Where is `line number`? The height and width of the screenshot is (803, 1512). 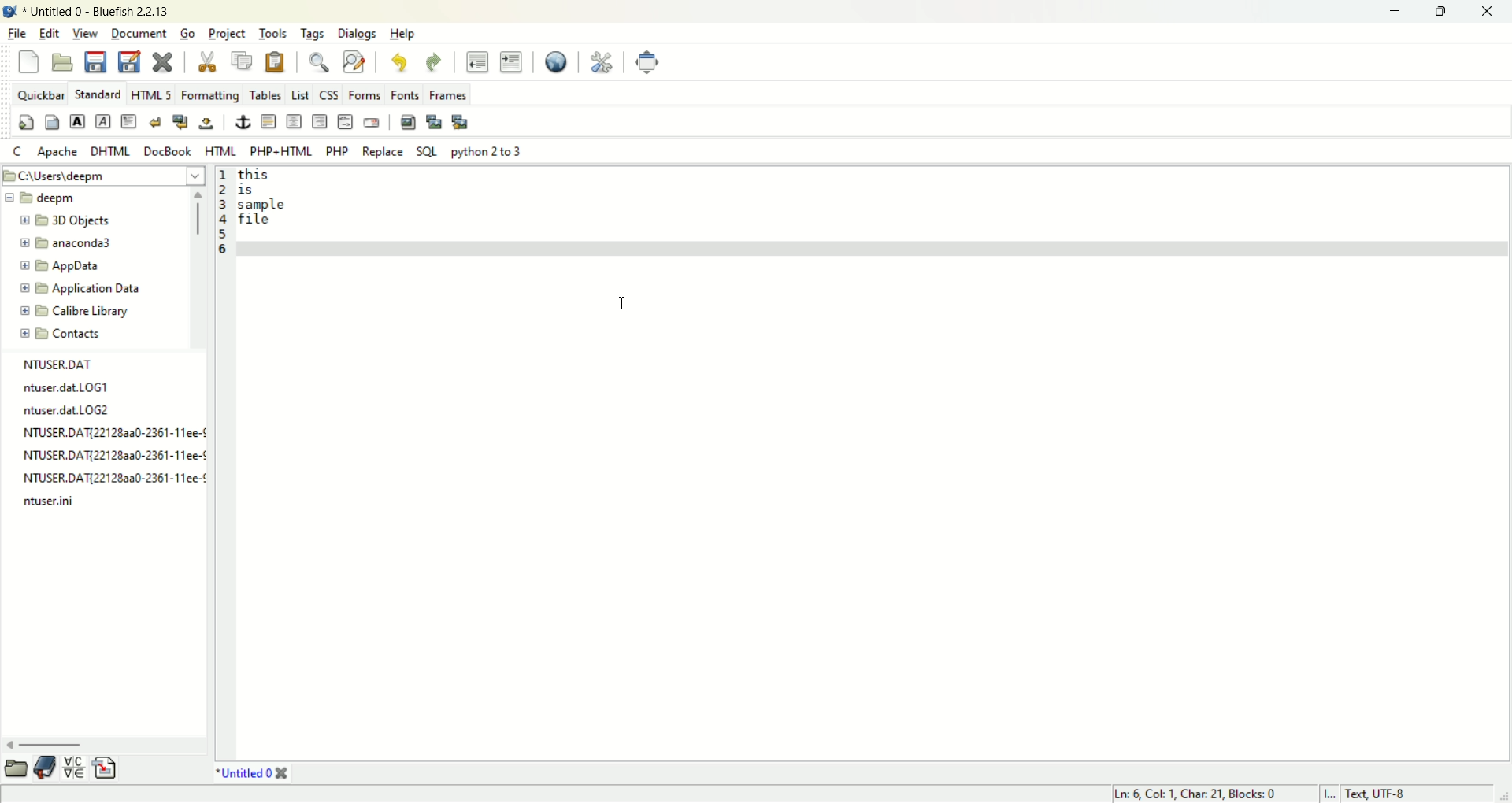 line number is located at coordinates (227, 215).